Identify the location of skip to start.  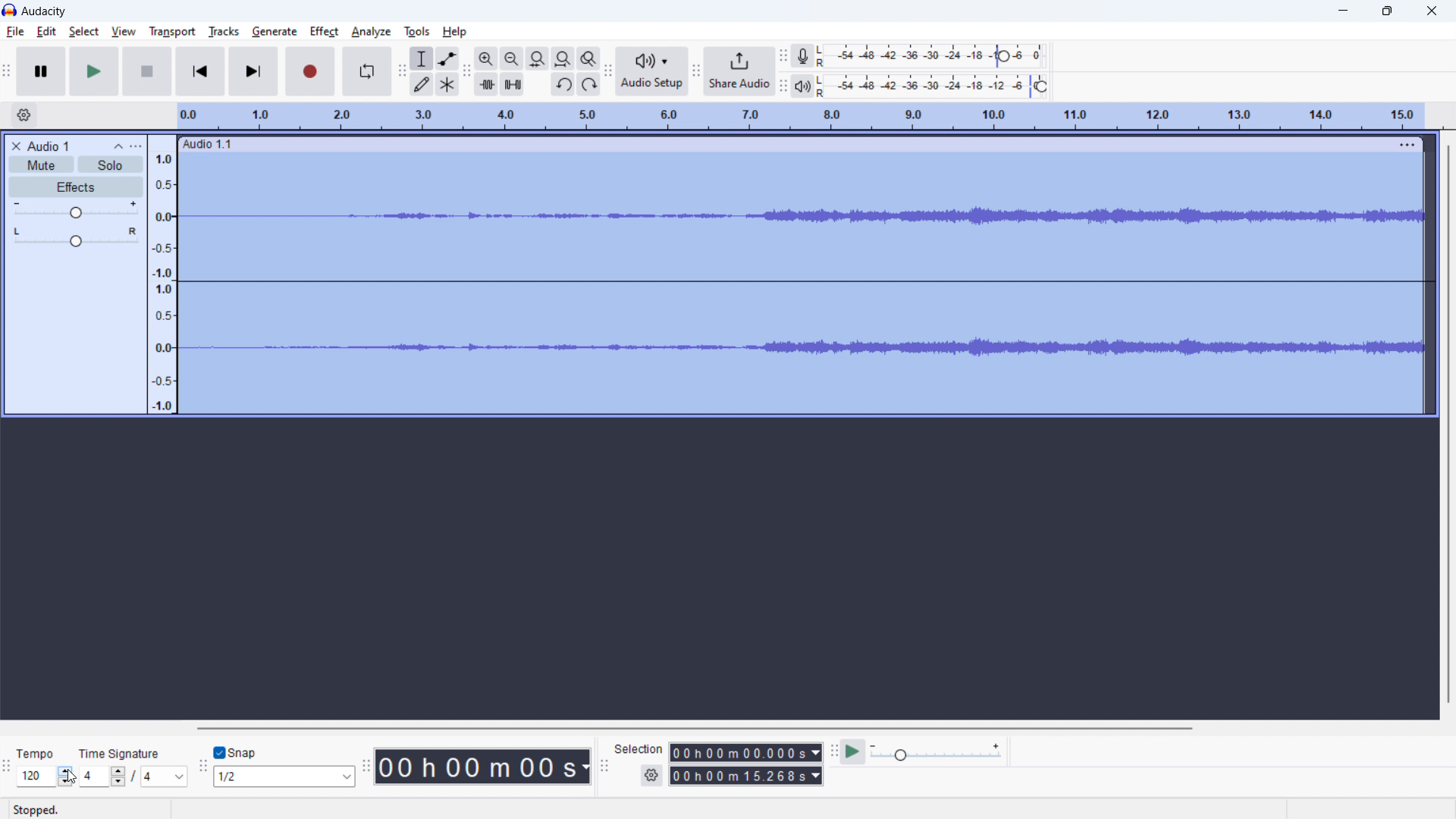
(201, 71).